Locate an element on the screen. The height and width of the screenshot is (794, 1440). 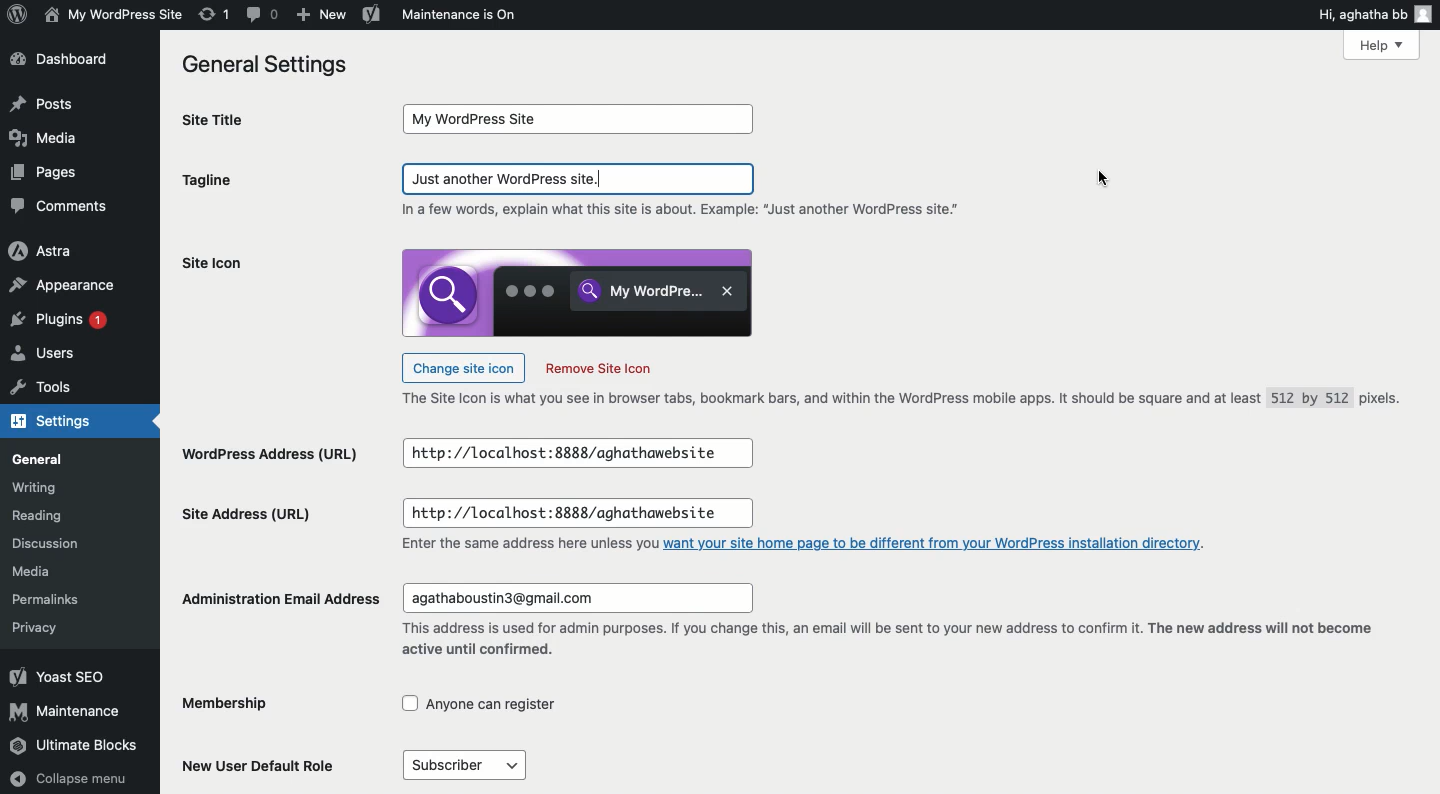
Dashboard is located at coordinates (67, 61).